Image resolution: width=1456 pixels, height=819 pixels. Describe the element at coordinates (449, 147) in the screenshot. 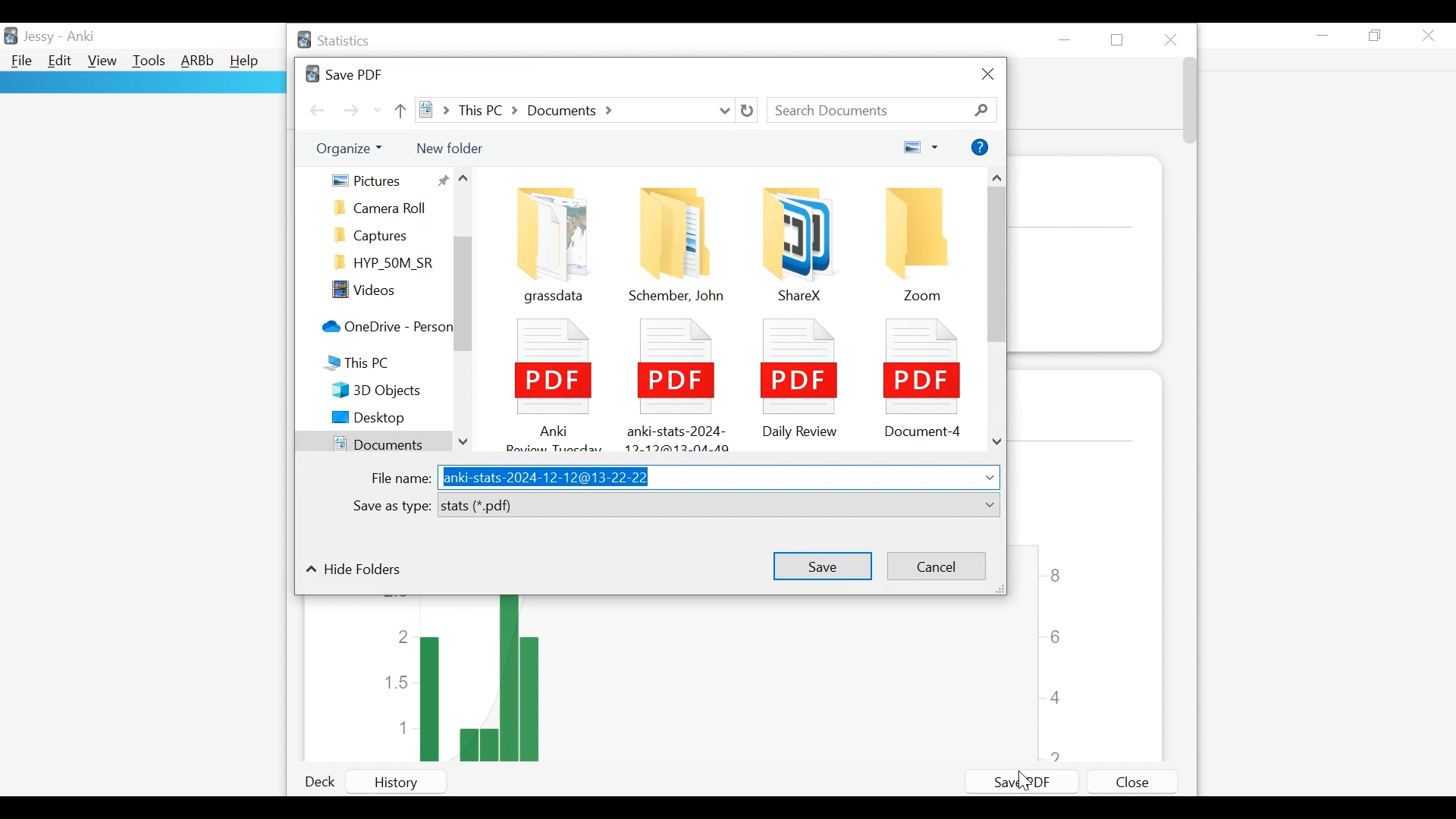

I see `New Folder` at that location.